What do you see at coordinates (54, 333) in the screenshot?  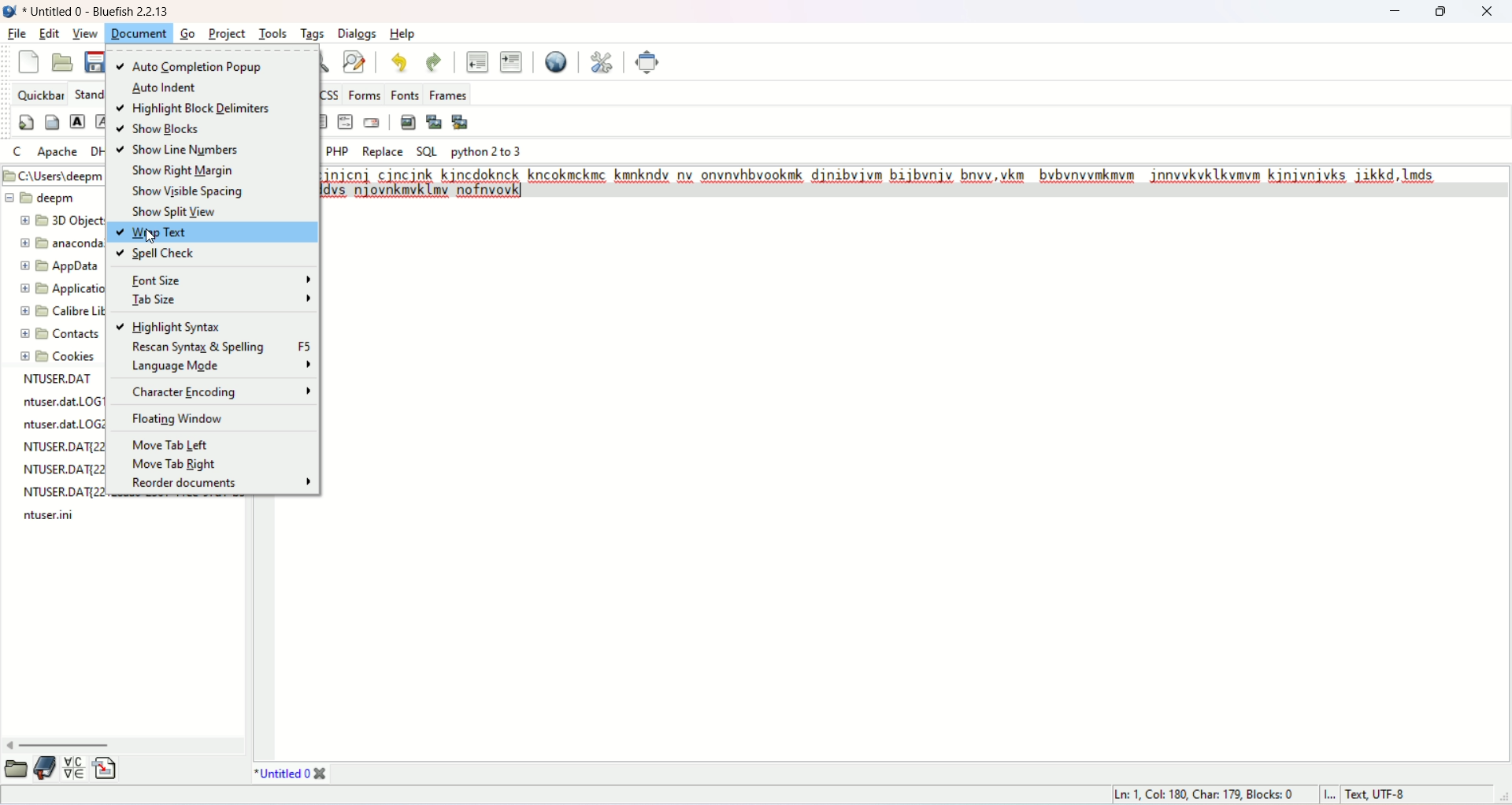 I see `contacts` at bounding box center [54, 333].